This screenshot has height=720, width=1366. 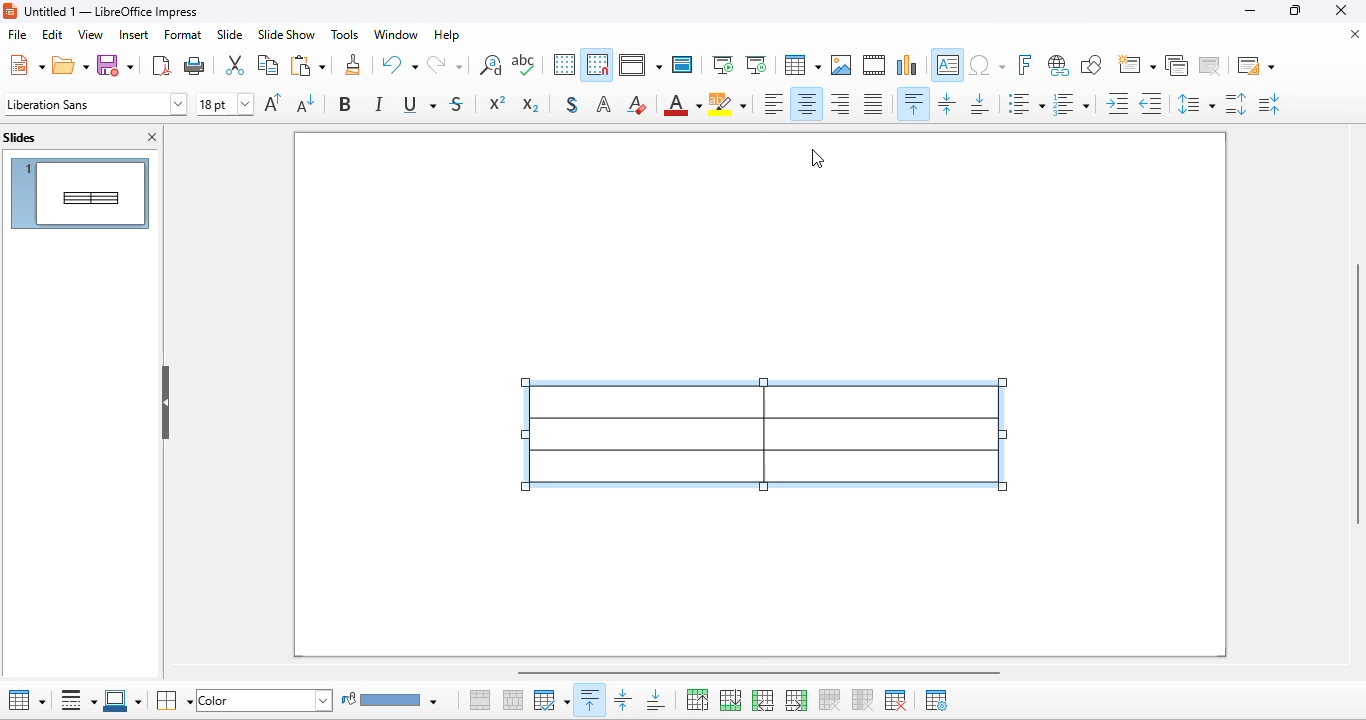 What do you see at coordinates (756, 65) in the screenshot?
I see `start from current slide` at bounding box center [756, 65].